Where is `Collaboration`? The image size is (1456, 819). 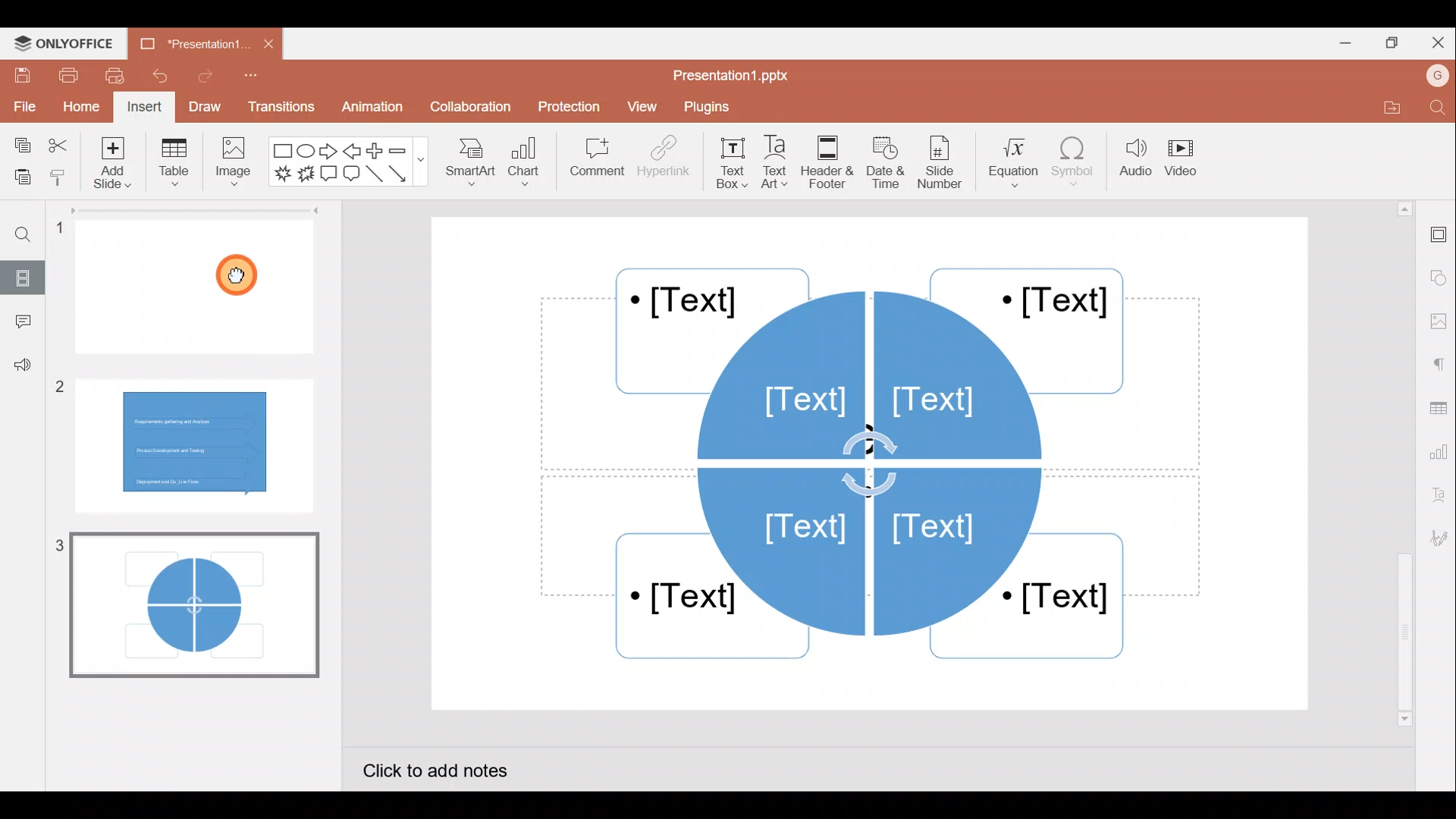 Collaboration is located at coordinates (469, 107).